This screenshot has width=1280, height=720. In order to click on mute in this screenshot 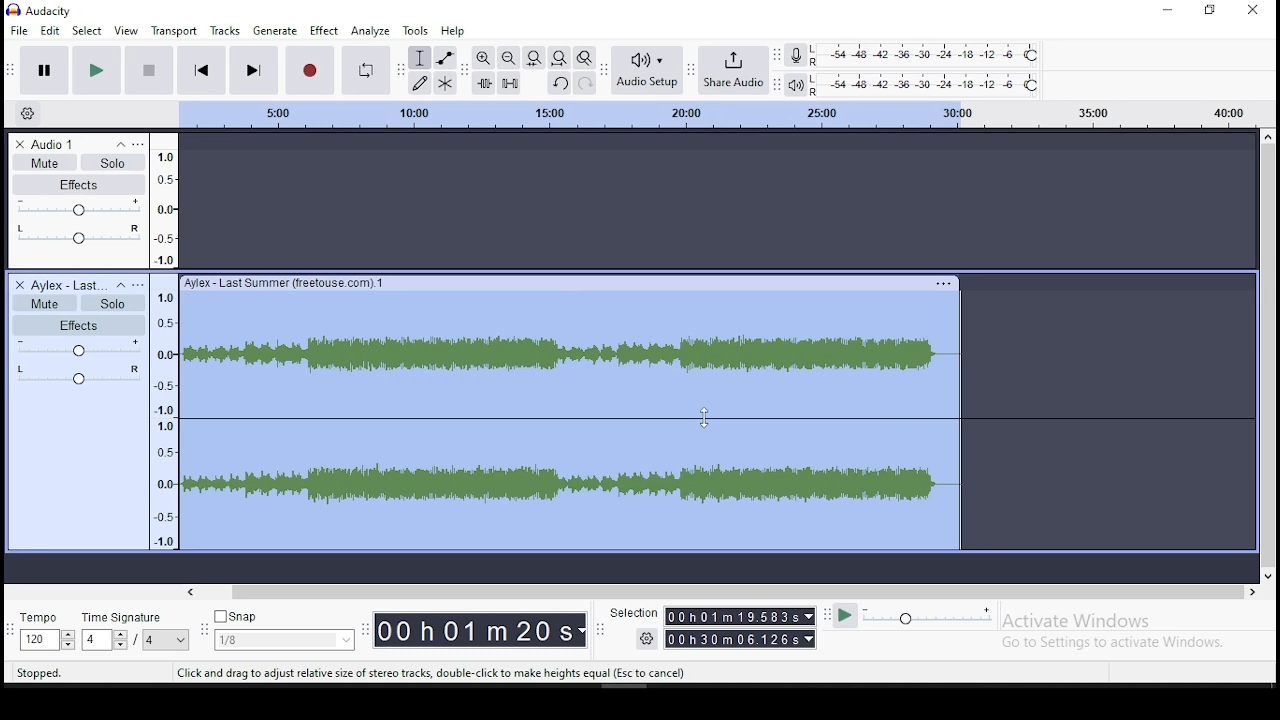, I will do `click(43, 302)`.